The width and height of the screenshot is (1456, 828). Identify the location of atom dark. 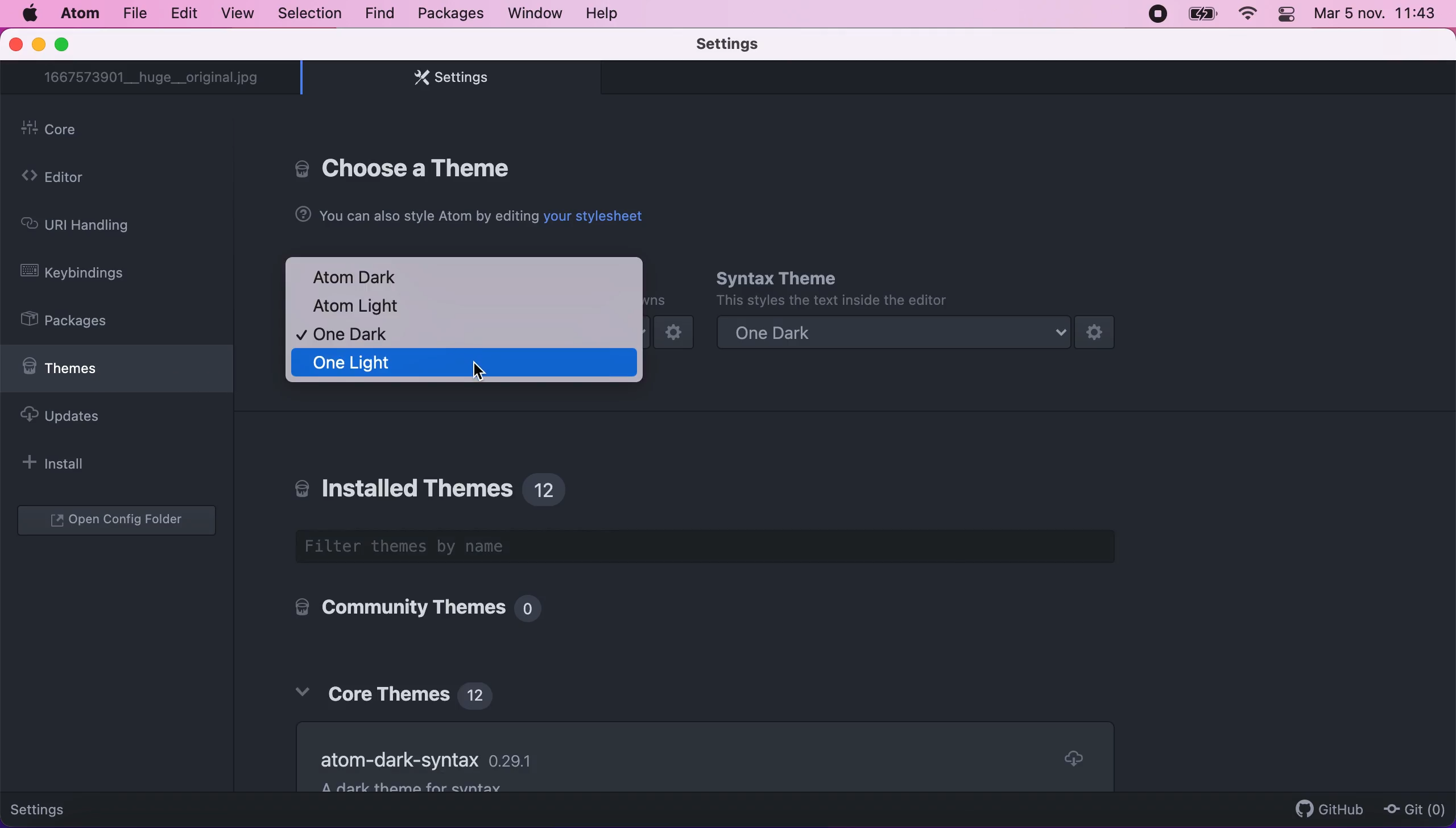
(366, 276).